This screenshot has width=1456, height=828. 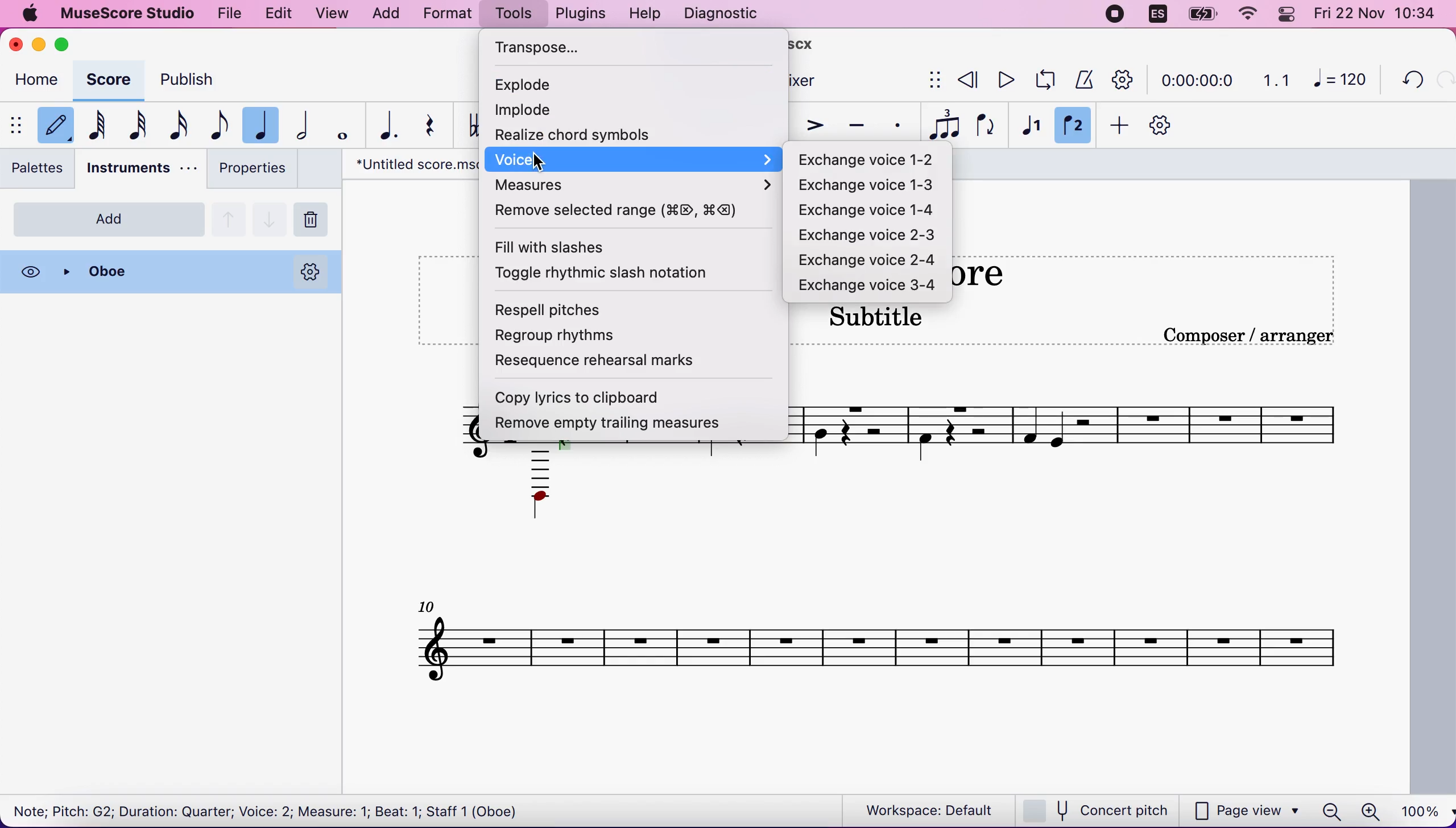 What do you see at coordinates (303, 123) in the screenshot?
I see `half note` at bounding box center [303, 123].